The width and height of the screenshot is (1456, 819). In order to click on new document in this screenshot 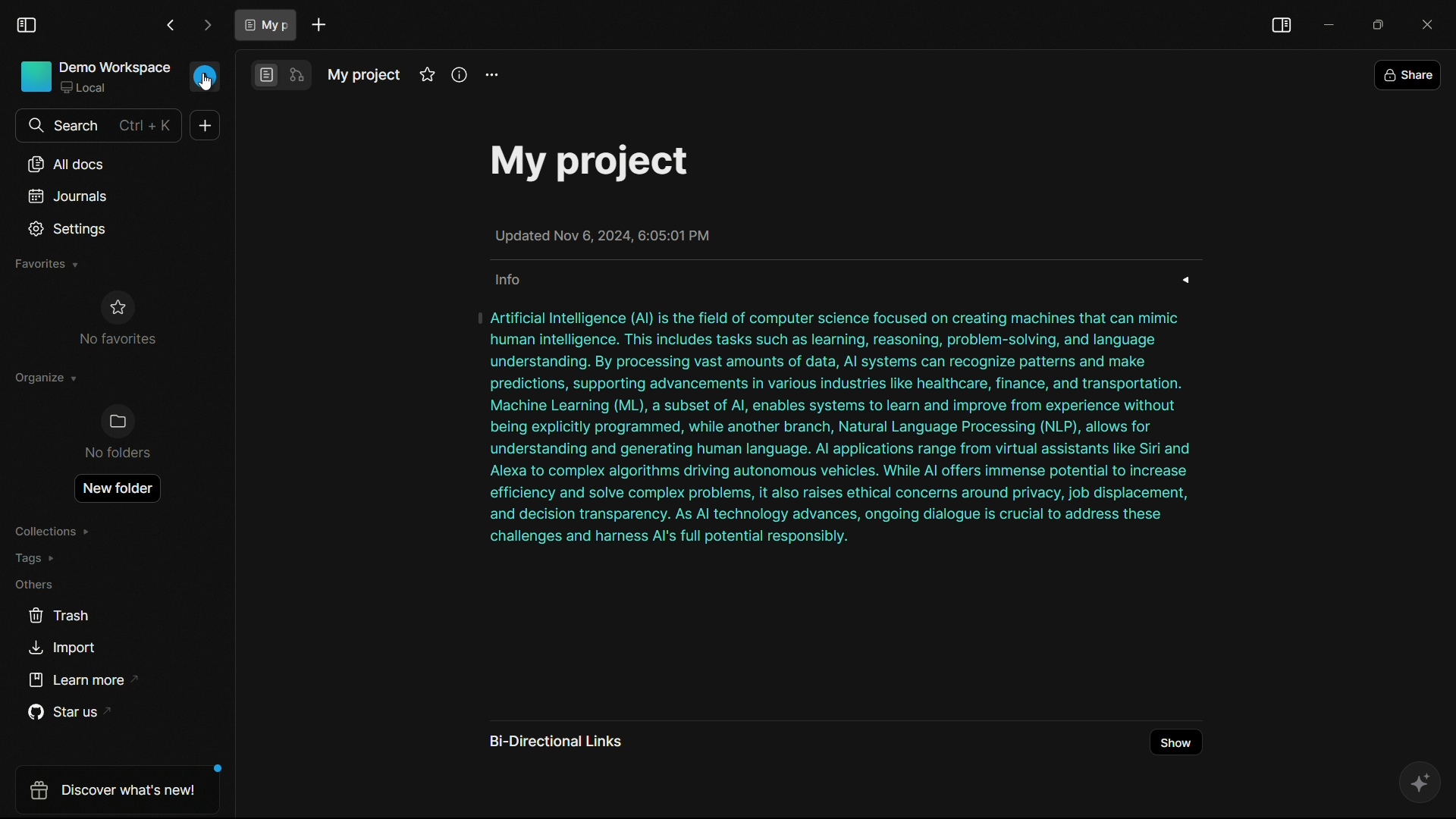, I will do `click(206, 124)`.